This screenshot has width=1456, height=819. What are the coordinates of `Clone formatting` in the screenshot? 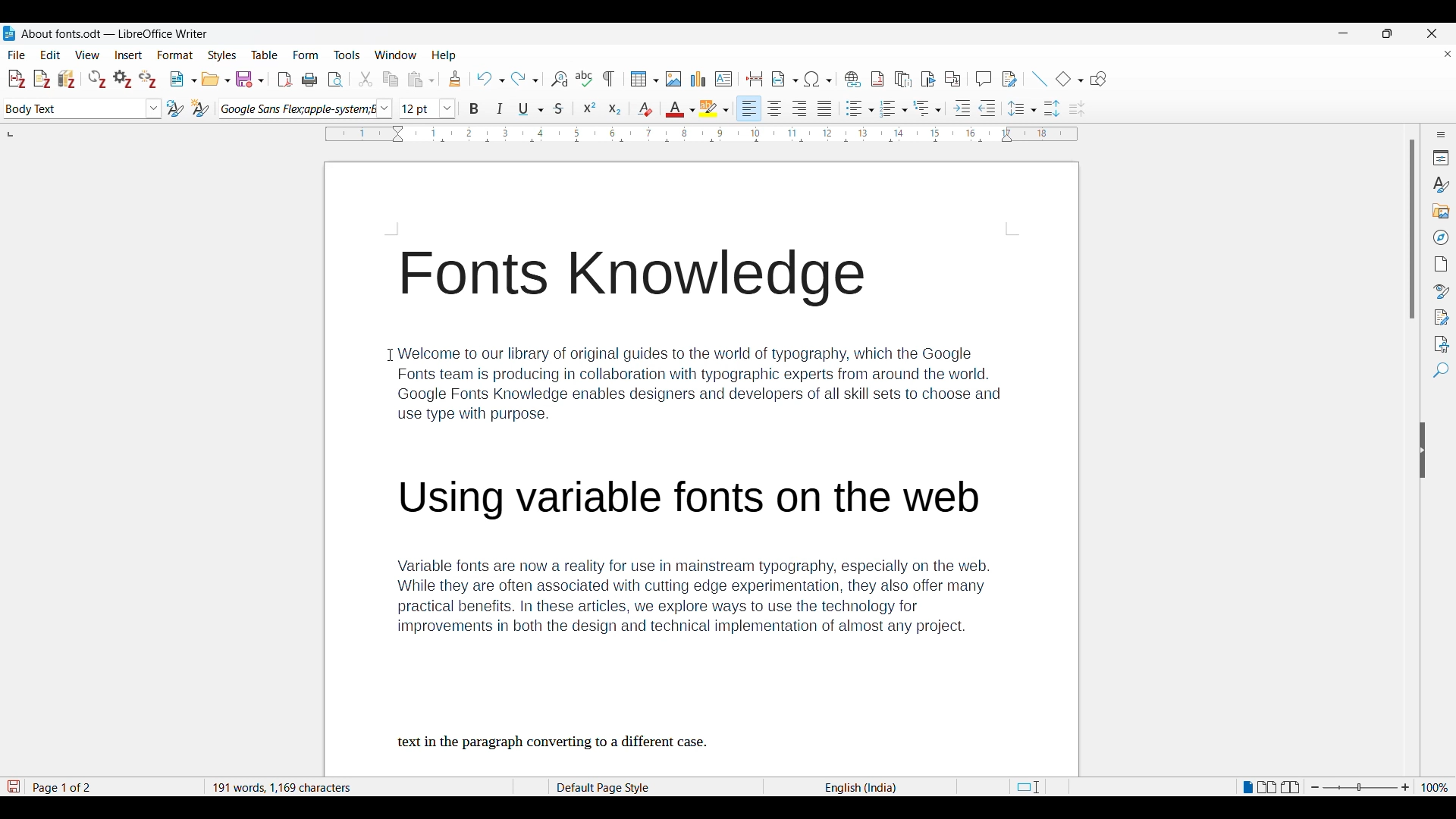 It's located at (455, 78).